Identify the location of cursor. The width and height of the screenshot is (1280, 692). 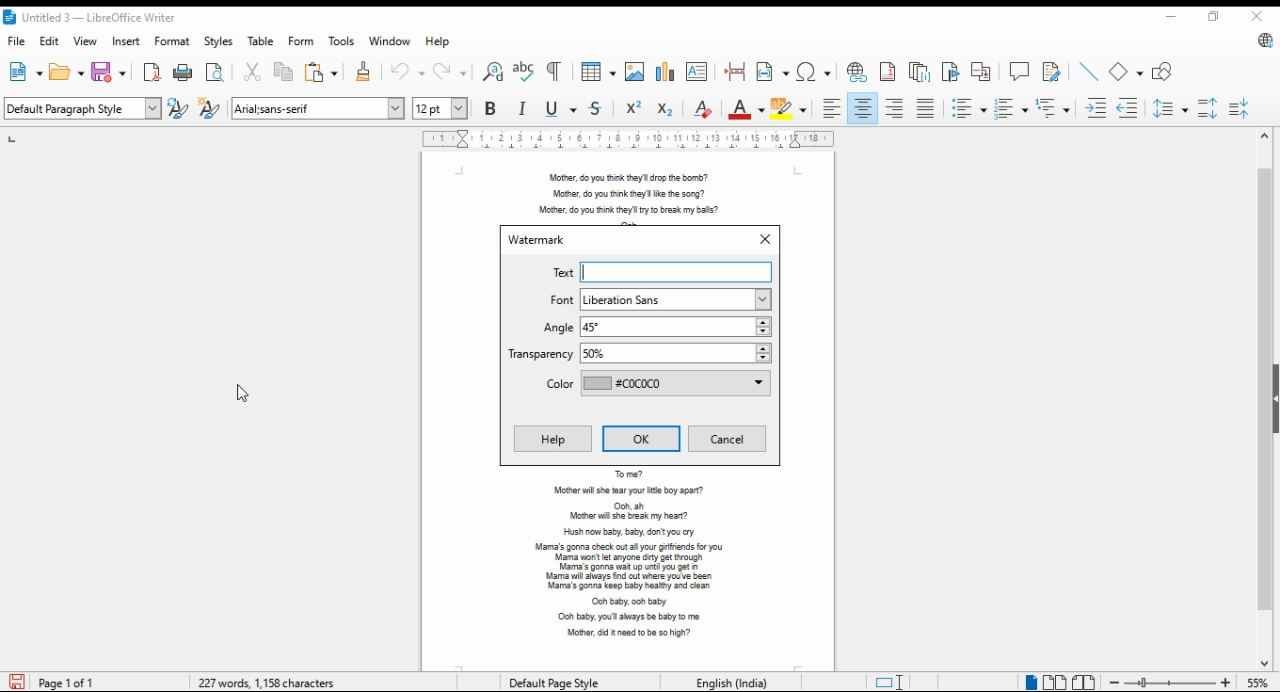
(187, 54).